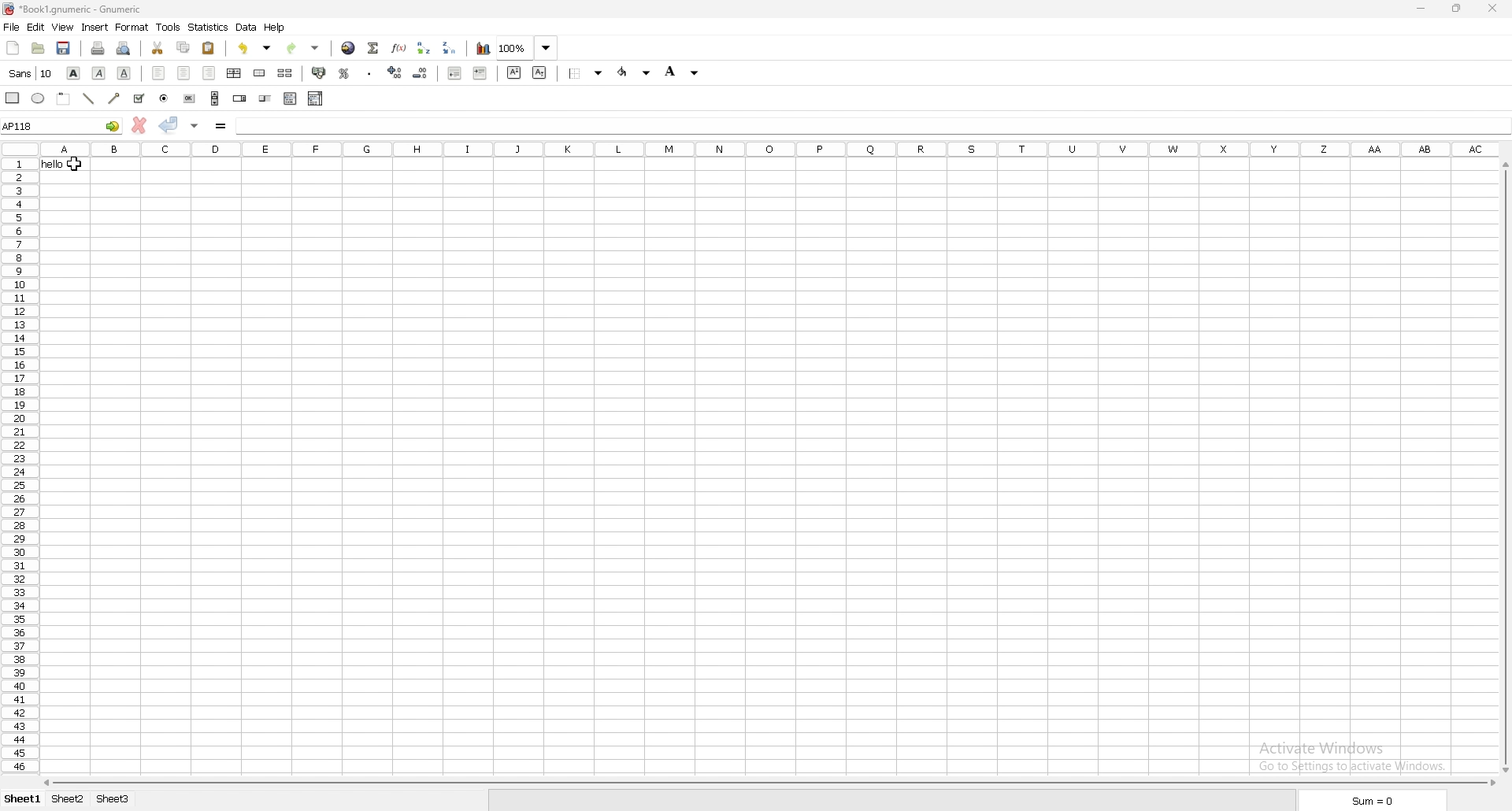 This screenshot has height=811, width=1512. I want to click on foreground, so click(635, 72).